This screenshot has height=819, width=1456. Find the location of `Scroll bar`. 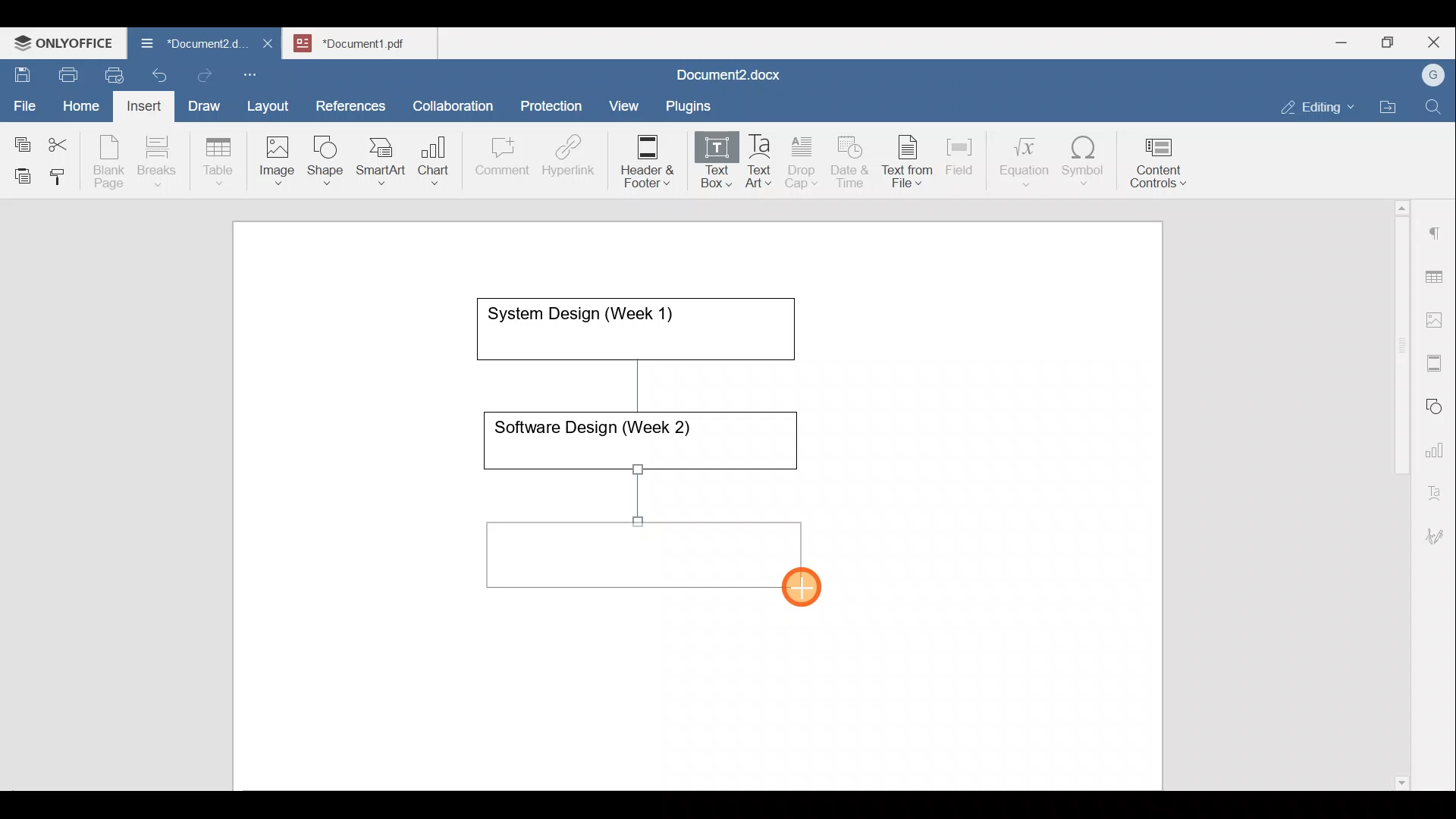

Scroll bar is located at coordinates (1396, 492).